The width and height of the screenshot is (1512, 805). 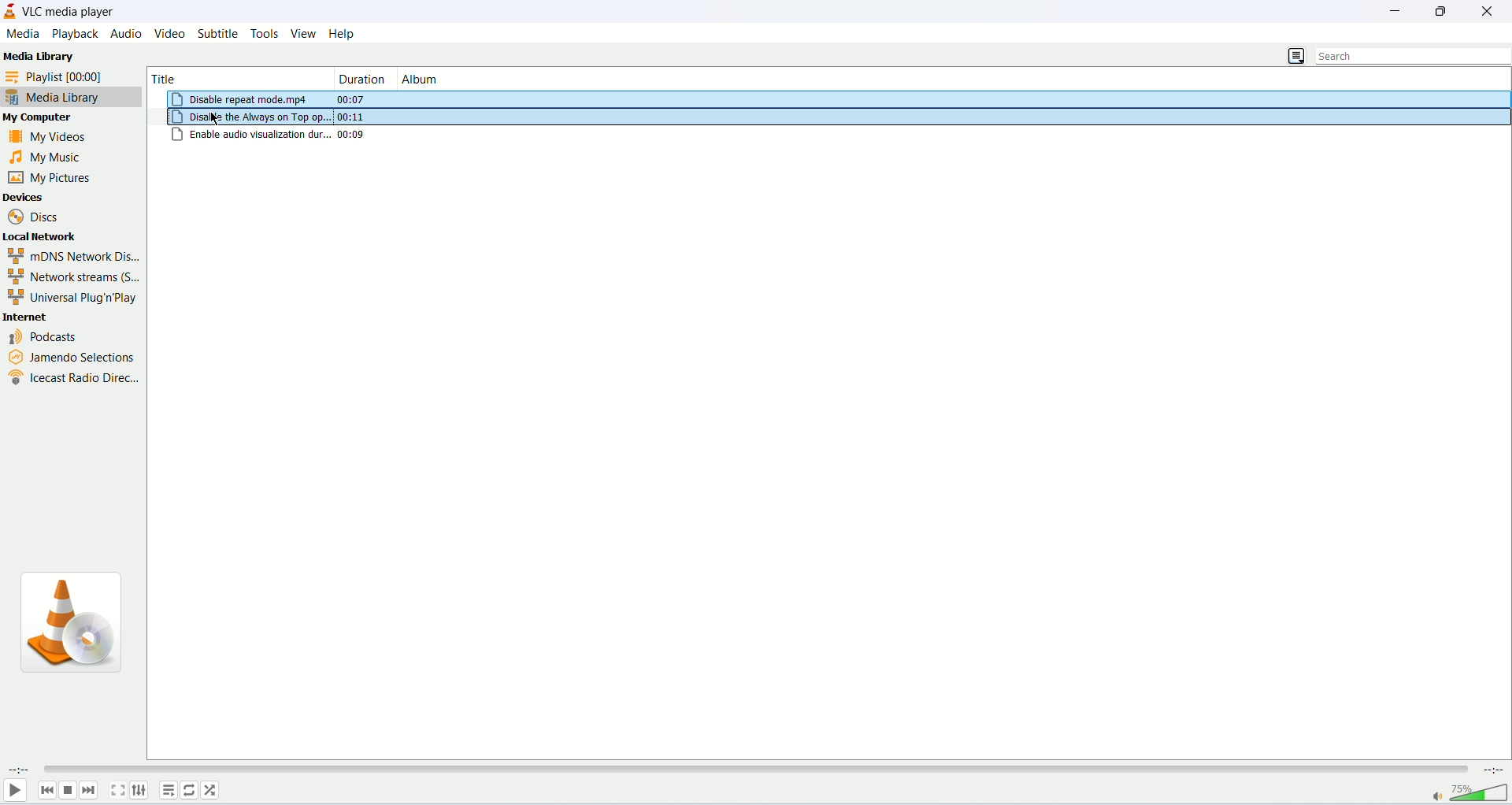 I want to click on VLC media player, so click(x=72, y=11).